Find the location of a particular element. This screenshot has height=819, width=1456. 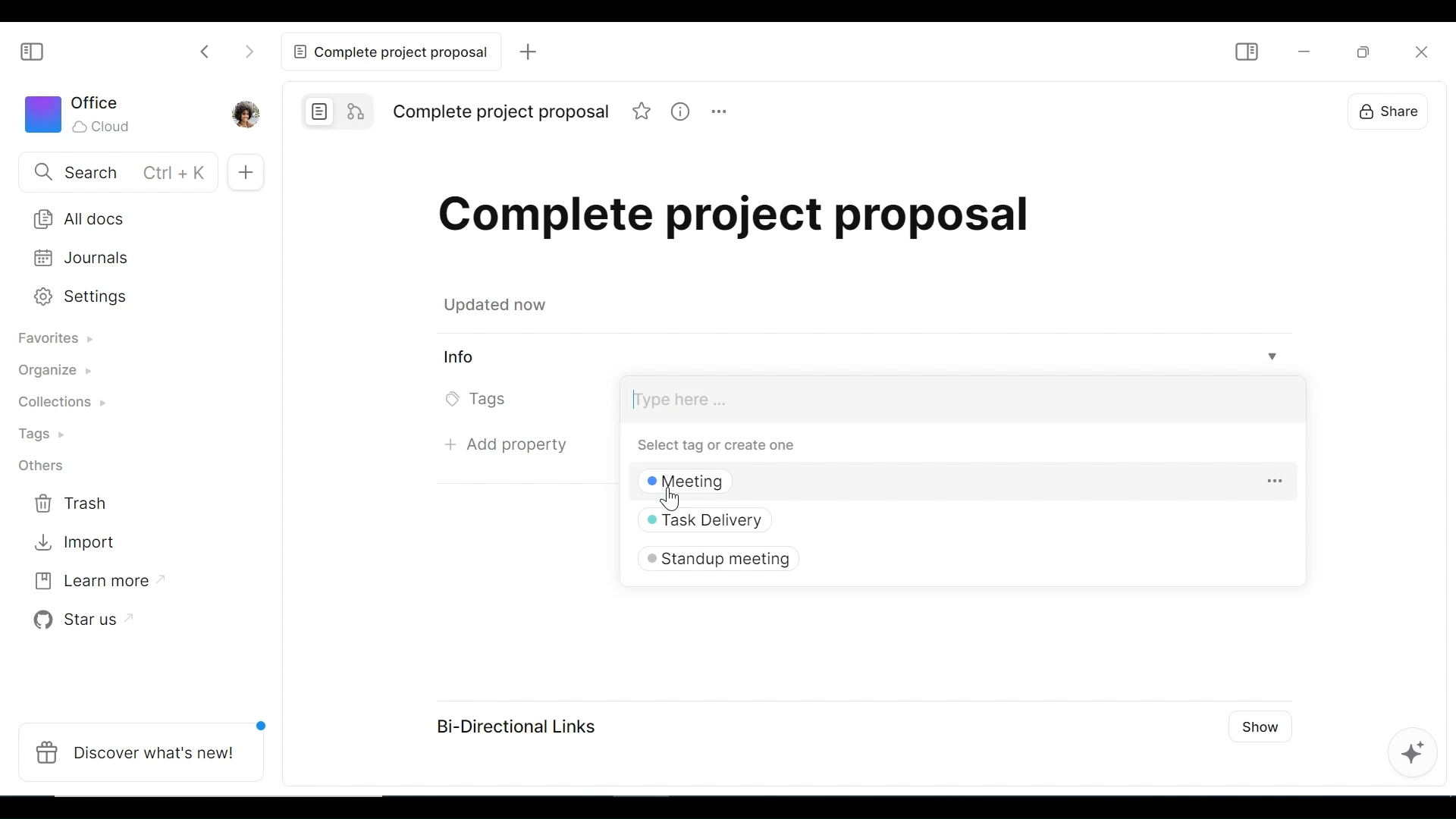

more is located at coordinates (722, 114).